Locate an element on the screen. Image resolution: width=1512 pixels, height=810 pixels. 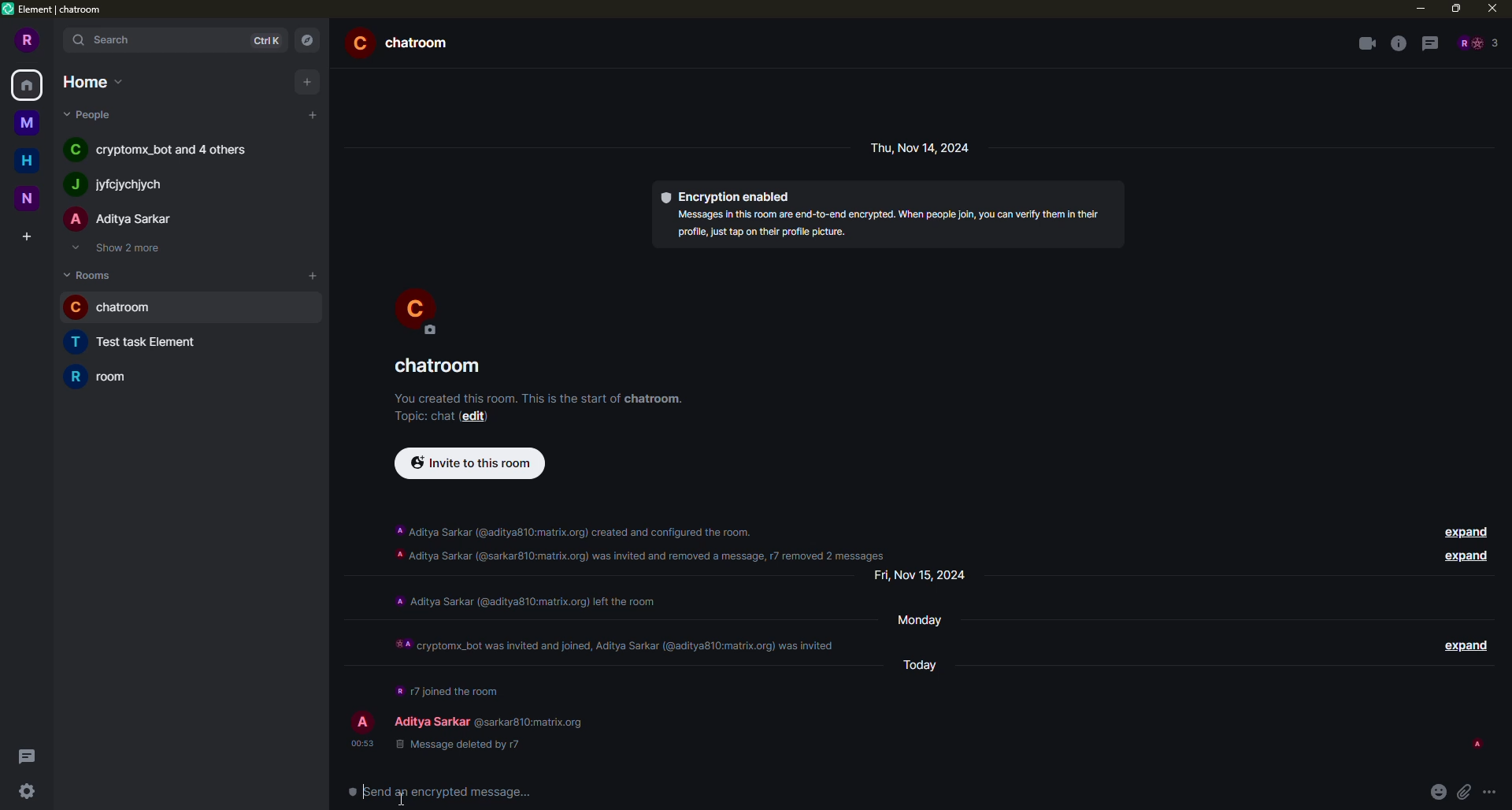
threads is located at coordinates (25, 756).